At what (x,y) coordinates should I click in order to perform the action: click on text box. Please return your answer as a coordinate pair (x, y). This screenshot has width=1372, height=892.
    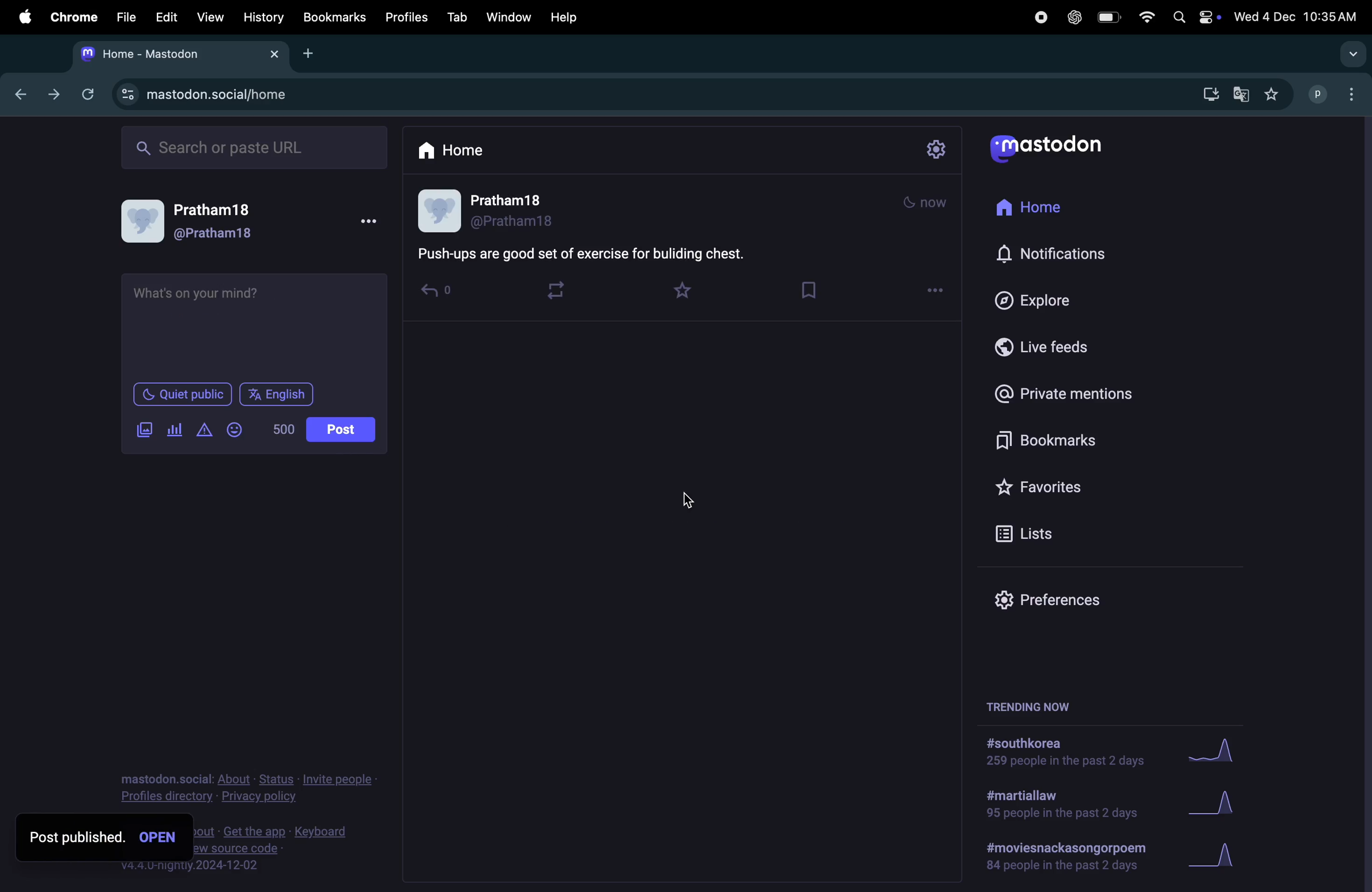
    Looking at the image, I should click on (258, 324).